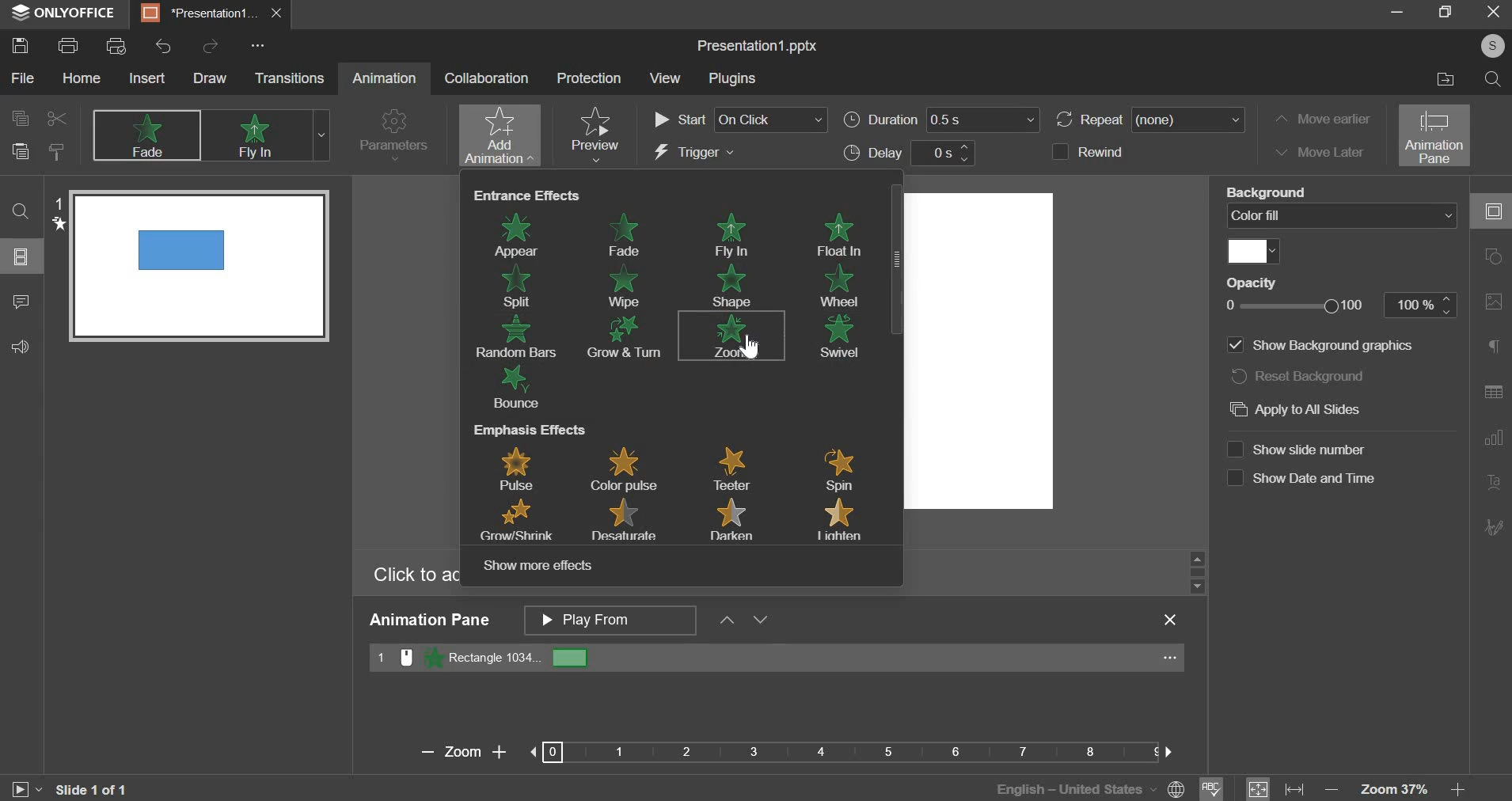 The height and width of the screenshot is (801, 1512). Describe the element at coordinates (215, 78) in the screenshot. I see `draw` at that location.